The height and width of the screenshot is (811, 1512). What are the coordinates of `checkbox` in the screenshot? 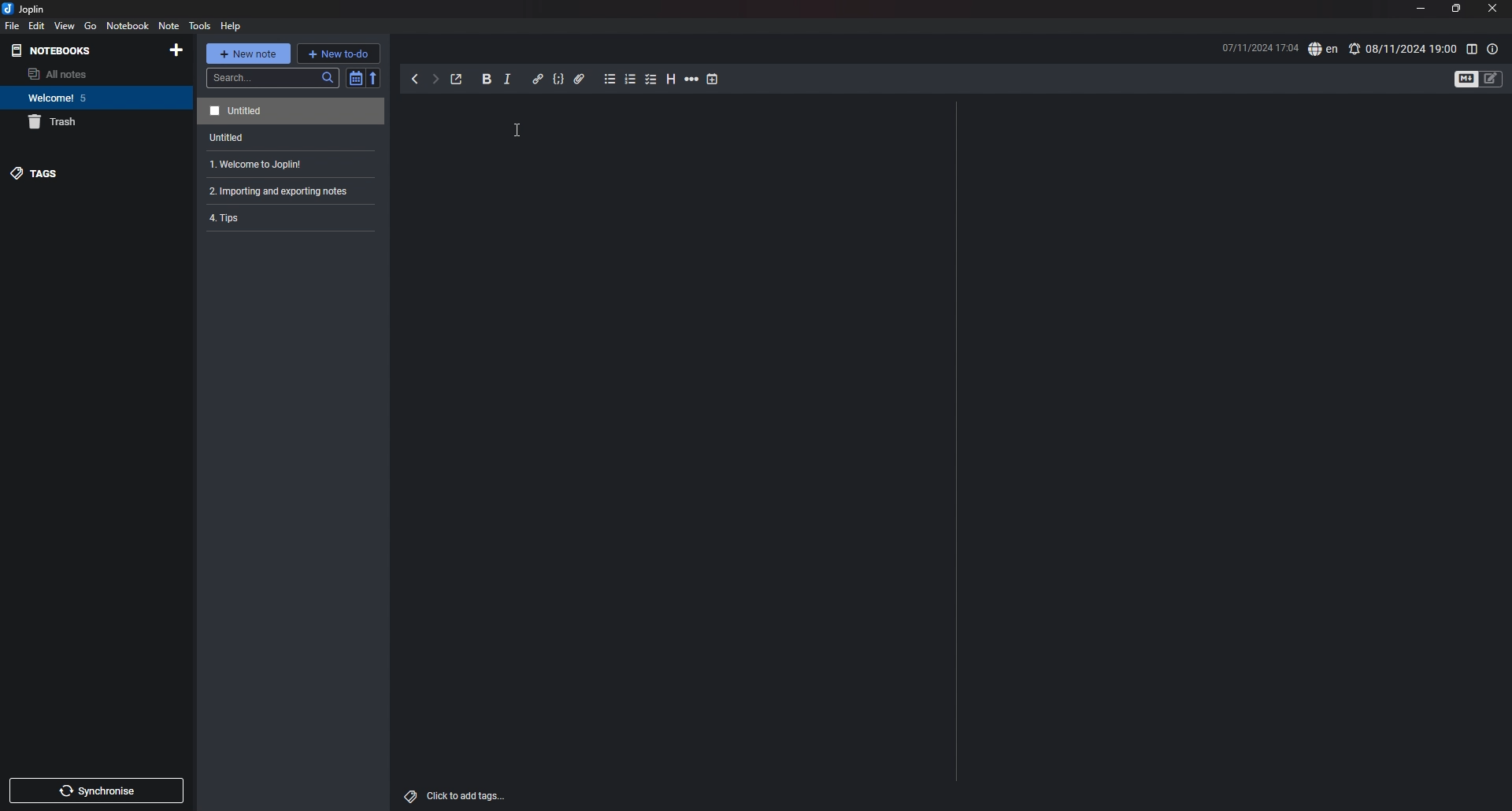 It's located at (652, 80).